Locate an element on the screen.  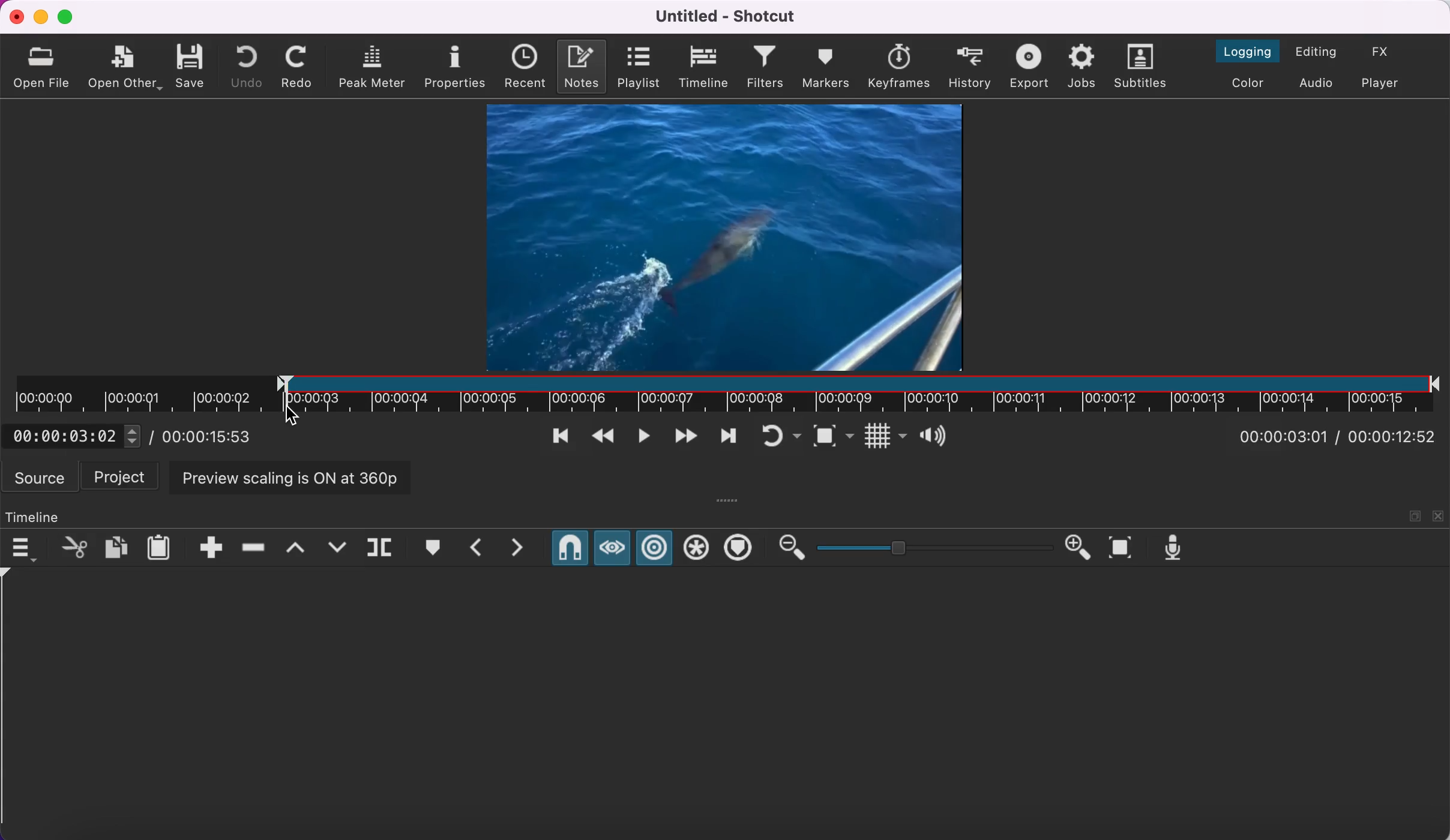
 is located at coordinates (831, 436).